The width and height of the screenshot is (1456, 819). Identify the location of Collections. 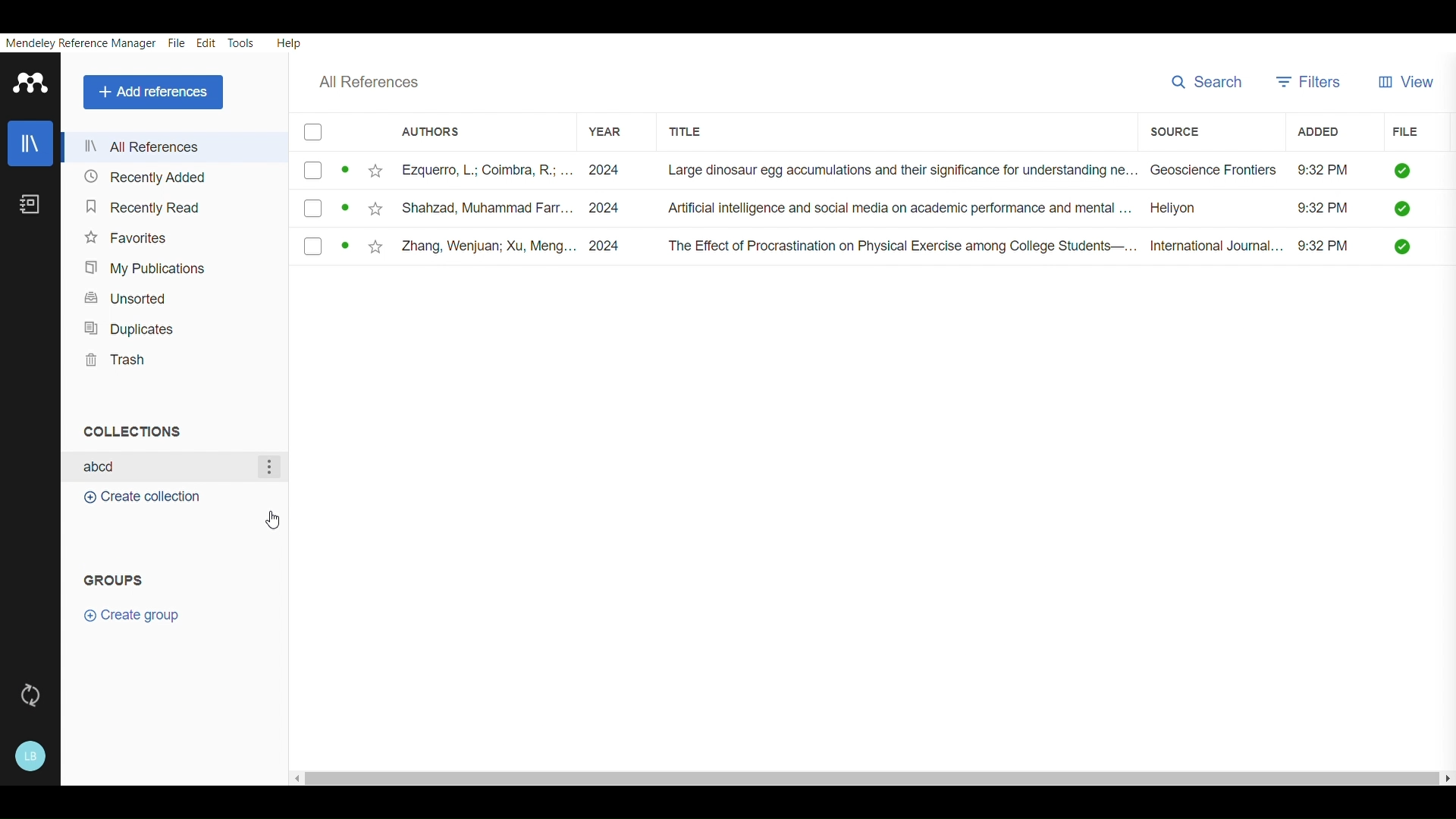
(140, 429).